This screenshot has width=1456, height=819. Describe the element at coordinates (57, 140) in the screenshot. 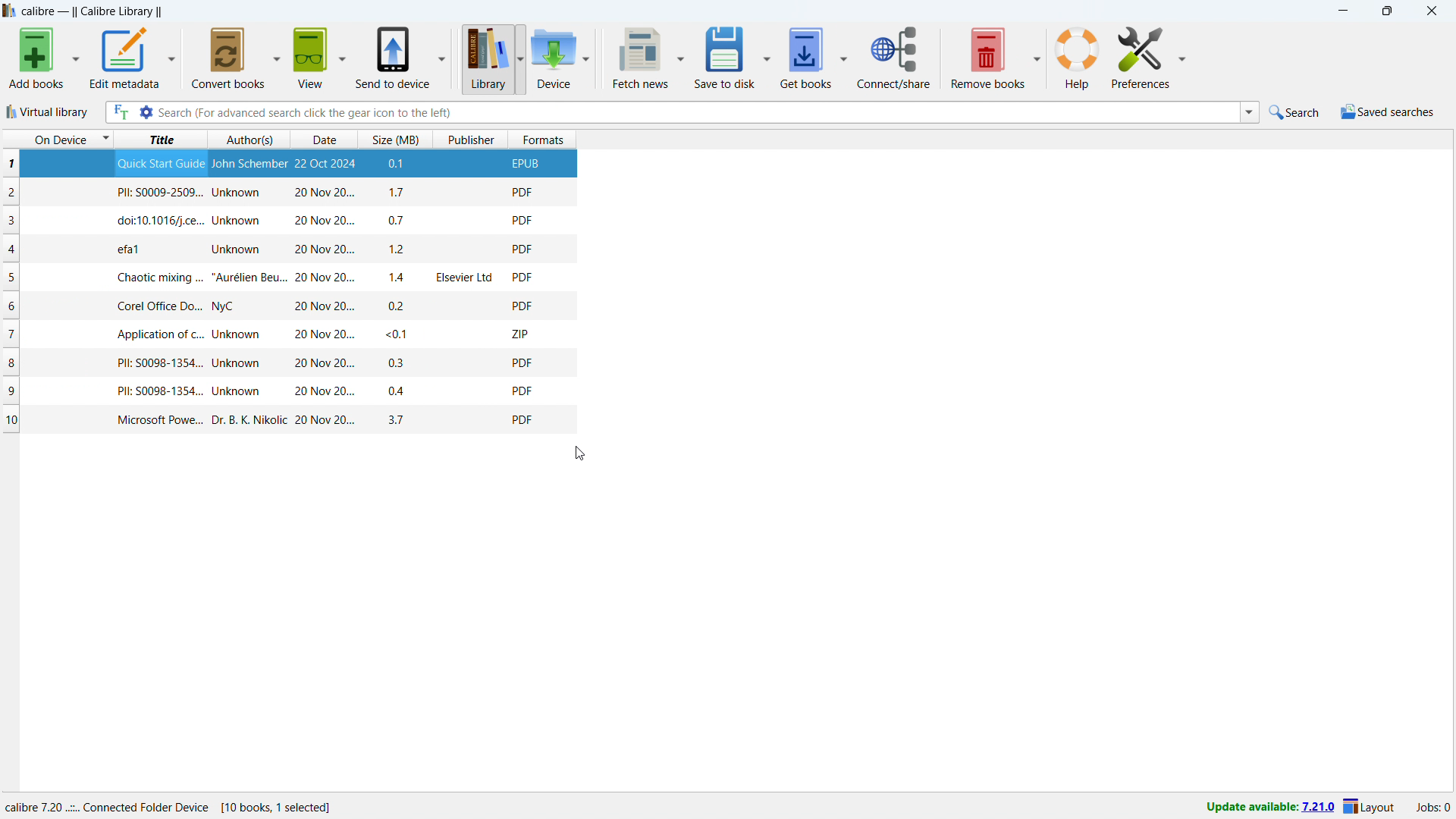

I see `on device` at that location.